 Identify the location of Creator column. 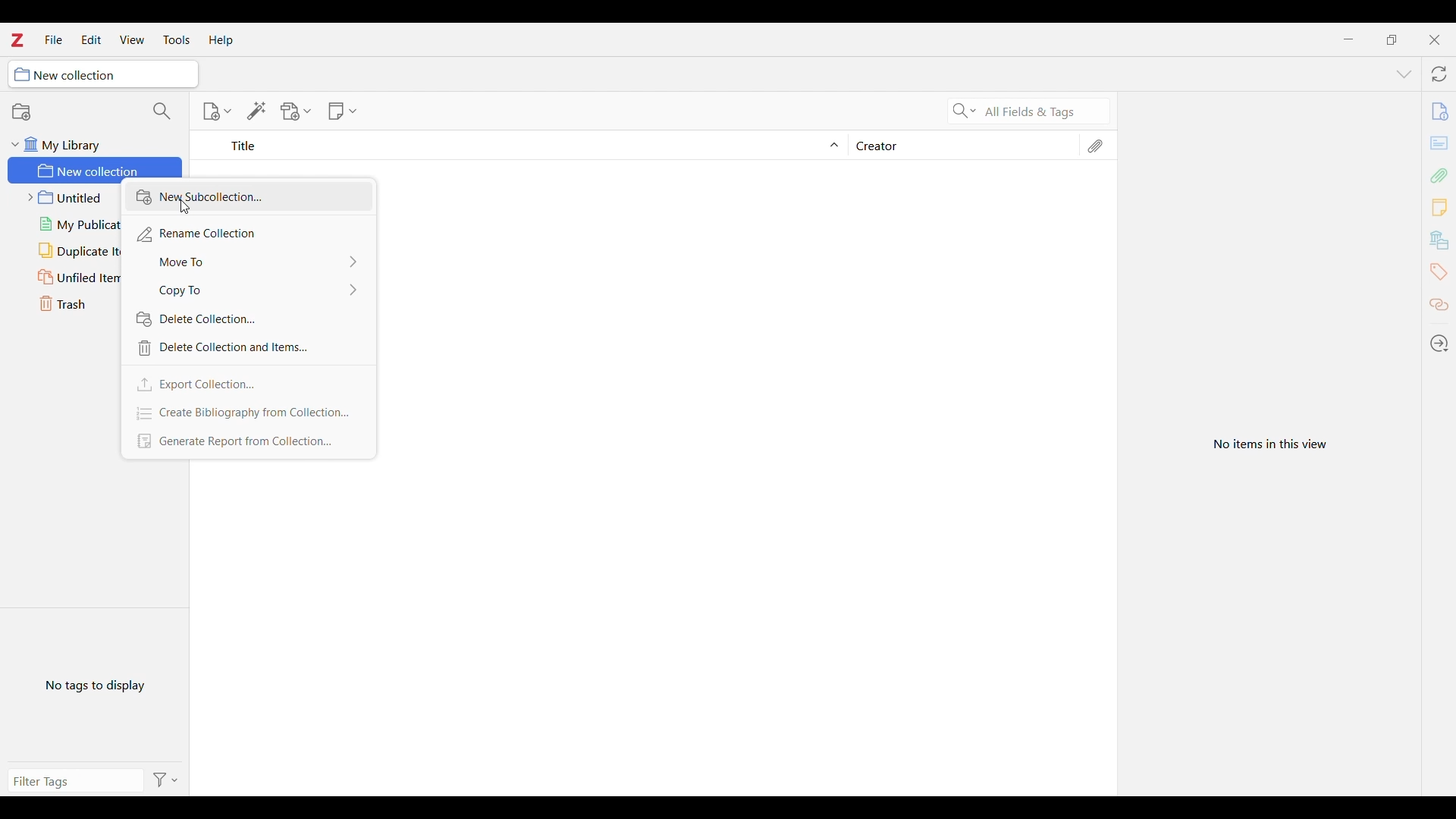
(960, 145).